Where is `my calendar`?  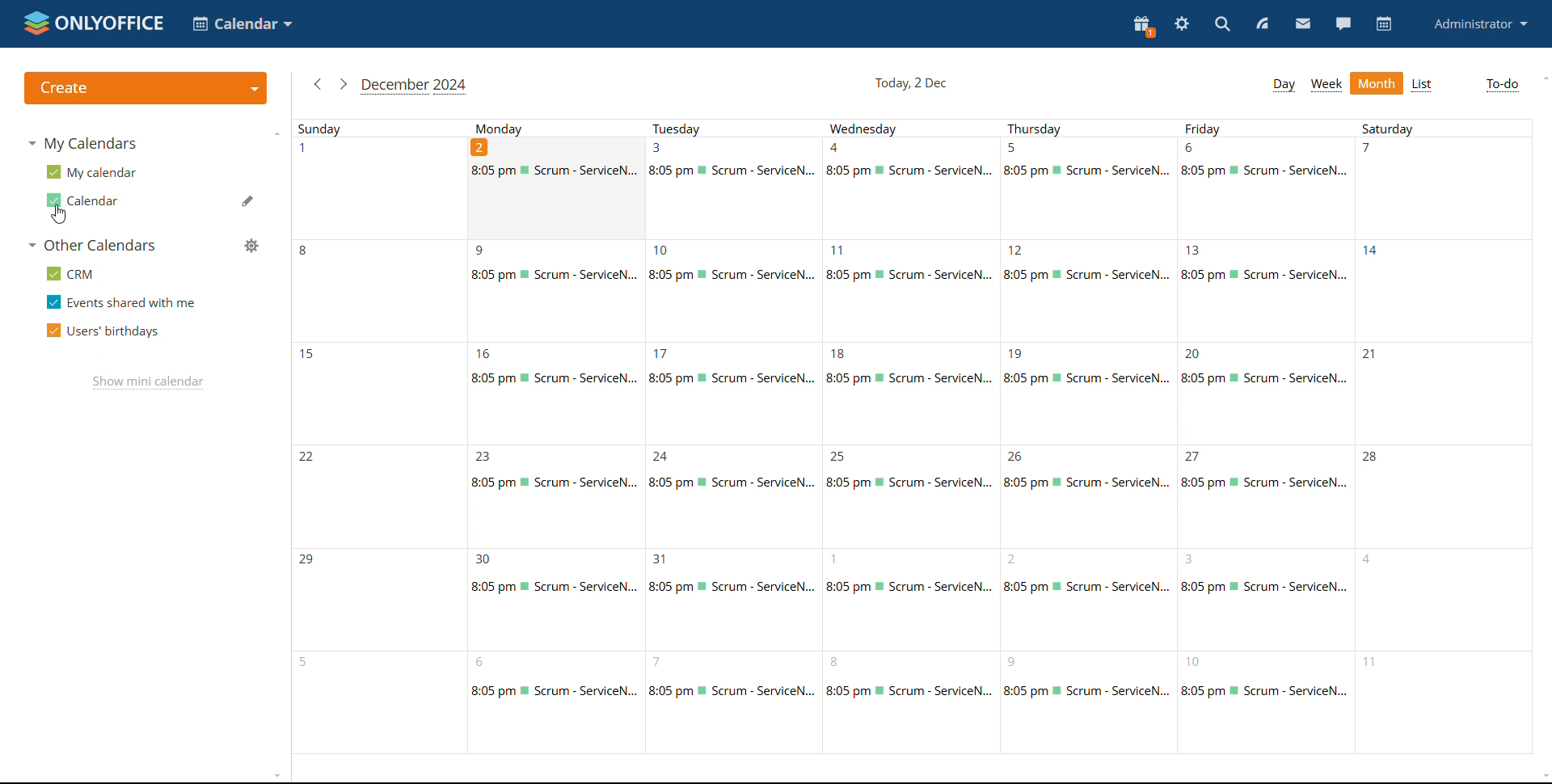 my calendar is located at coordinates (92, 171).